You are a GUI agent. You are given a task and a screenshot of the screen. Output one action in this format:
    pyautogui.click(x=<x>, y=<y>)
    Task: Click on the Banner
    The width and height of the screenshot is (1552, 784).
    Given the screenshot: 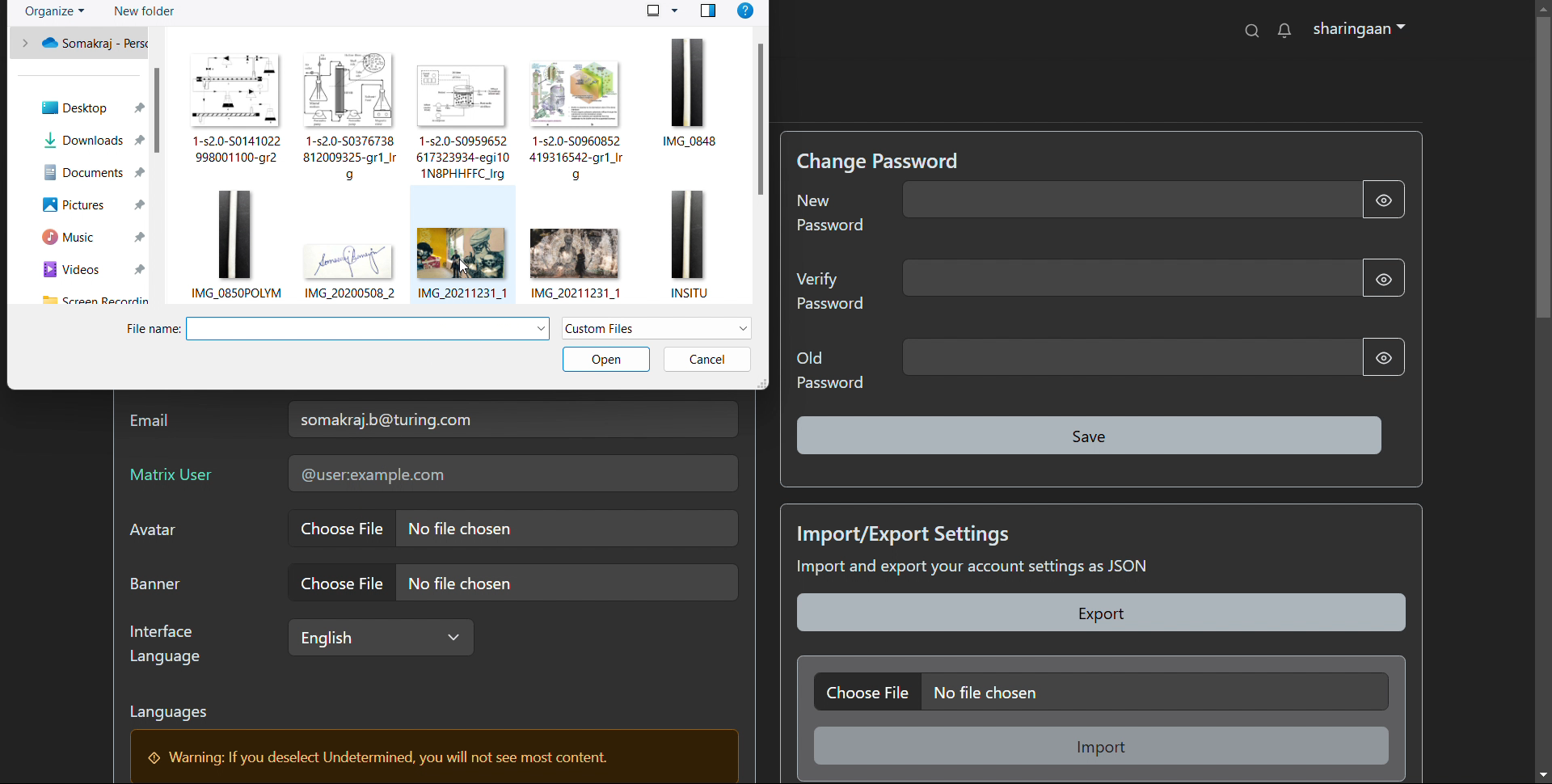 What is the action you would take?
    pyautogui.click(x=163, y=585)
    